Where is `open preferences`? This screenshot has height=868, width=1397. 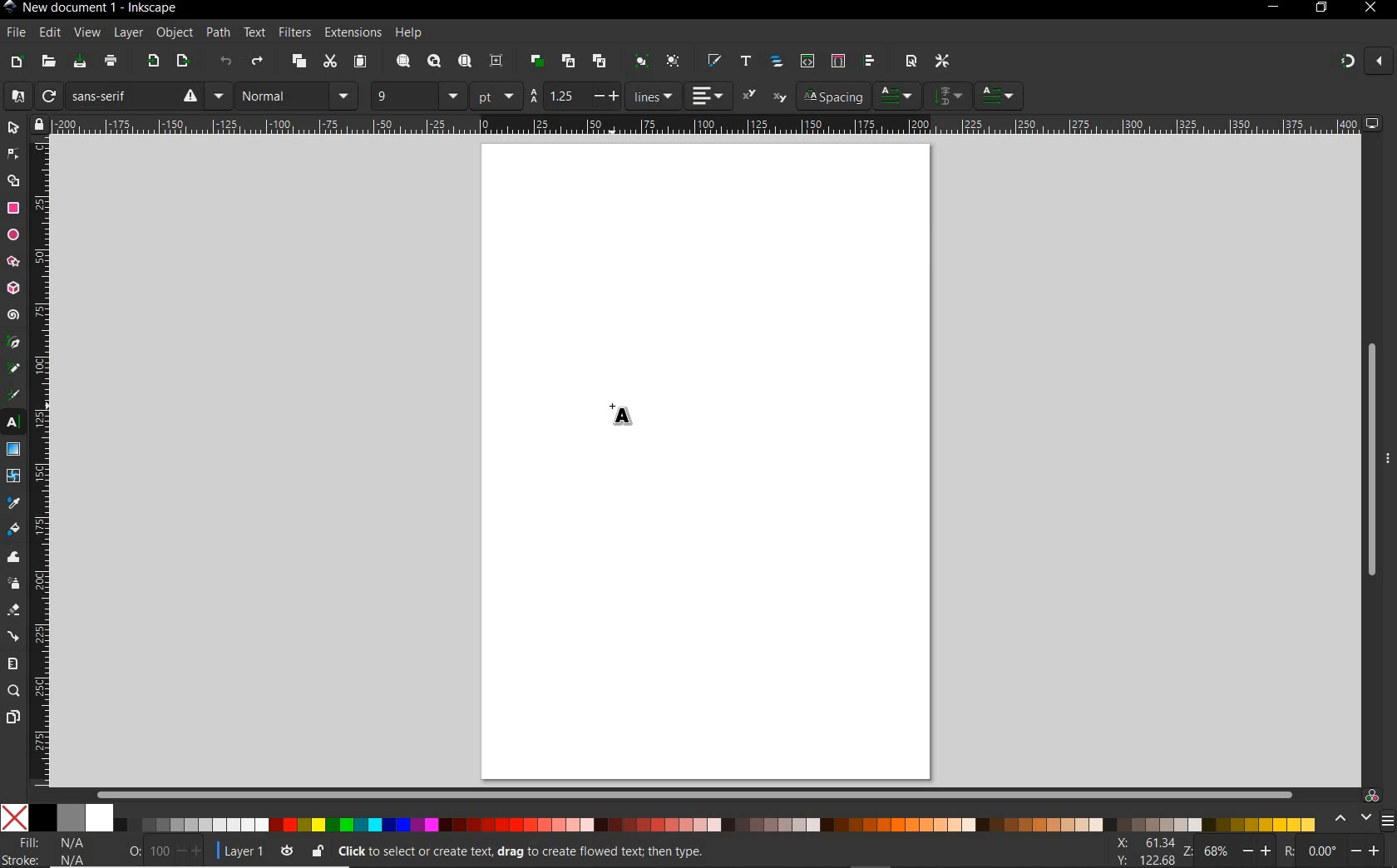
open preferences is located at coordinates (943, 62).